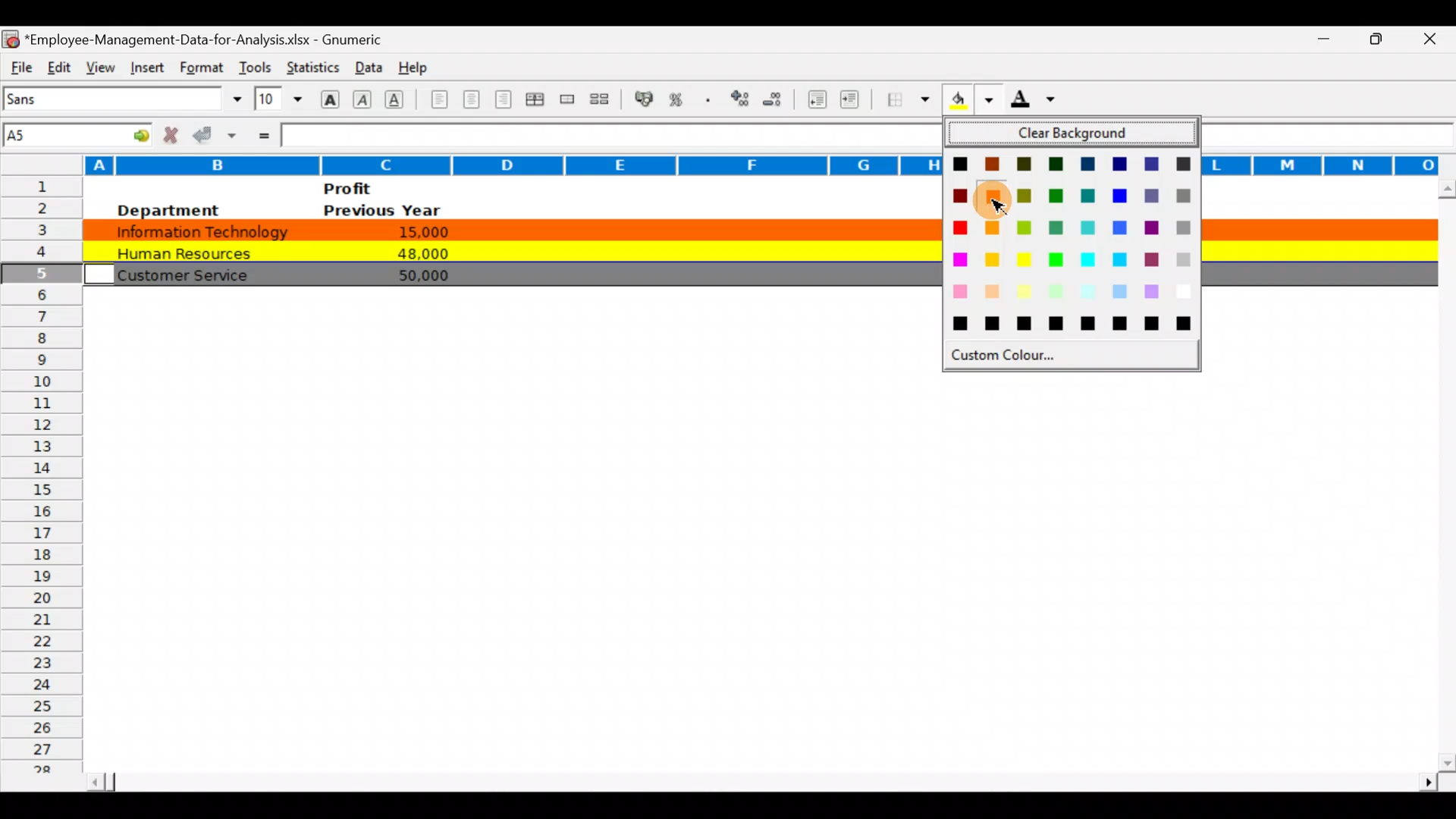 The width and height of the screenshot is (1456, 819). Describe the element at coordinates (1443, 475) in the screenshot. I see `Scroll bar` at that location.